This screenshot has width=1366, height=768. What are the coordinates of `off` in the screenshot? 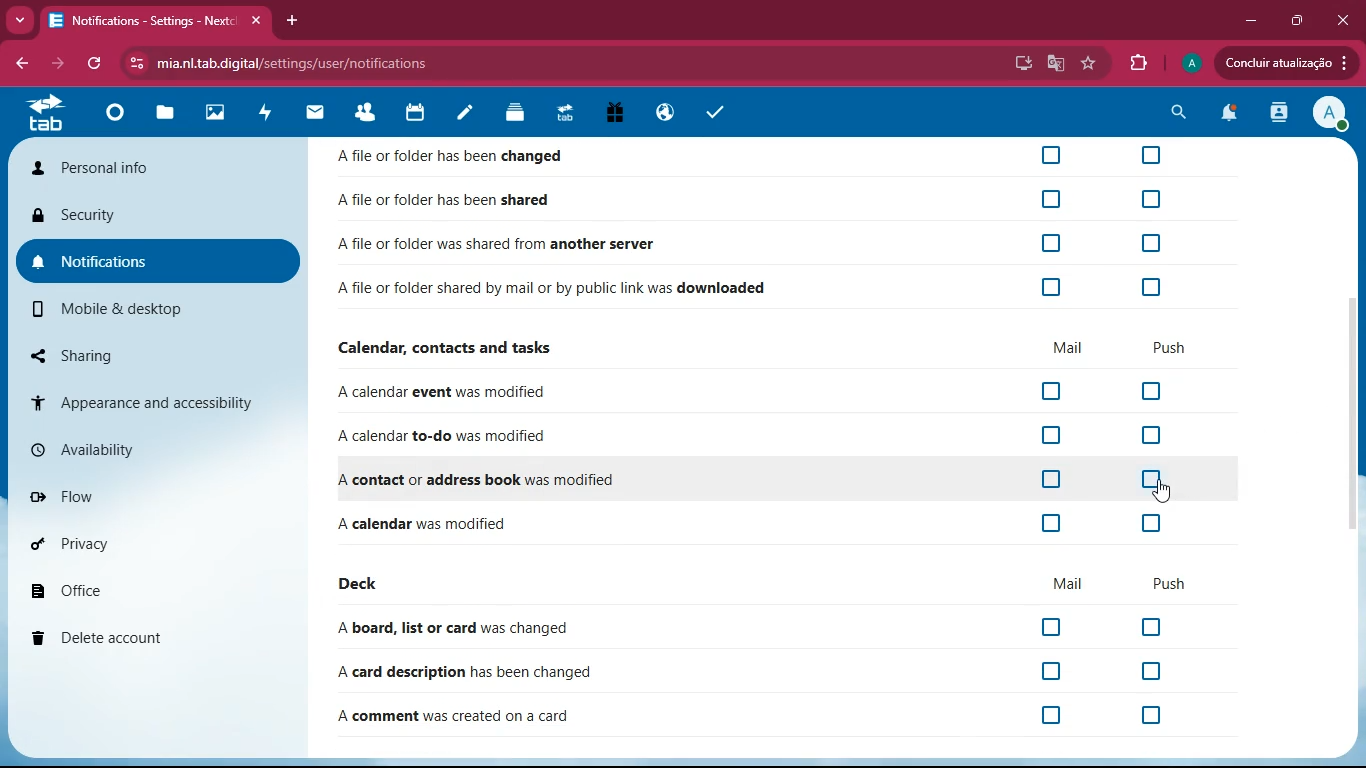 It's located at (1154, 244).